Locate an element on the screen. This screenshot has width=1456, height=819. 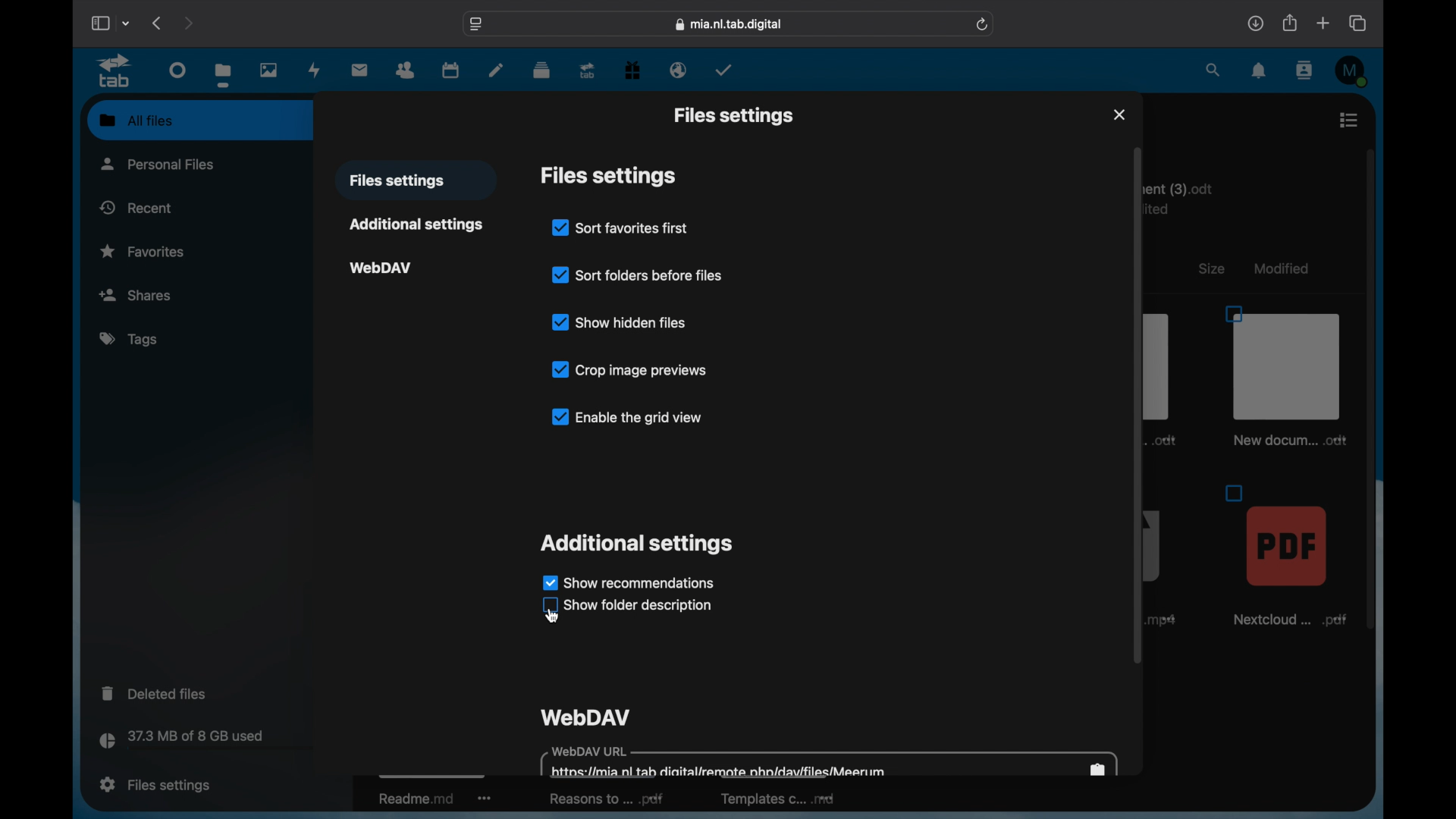
files settings is located at coordinates (733, 115).